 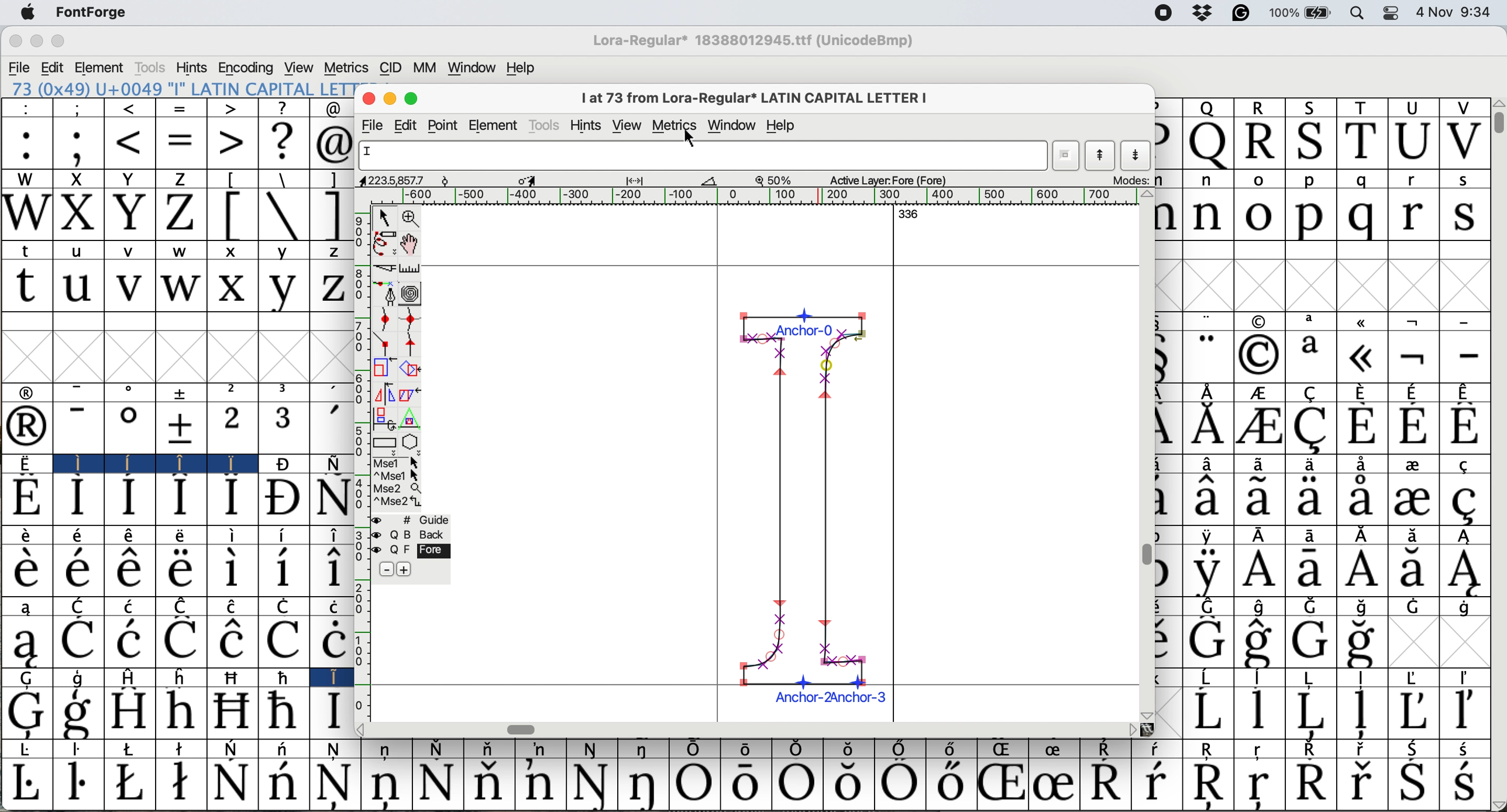 I want to click on >, so click(x=229, y=109).